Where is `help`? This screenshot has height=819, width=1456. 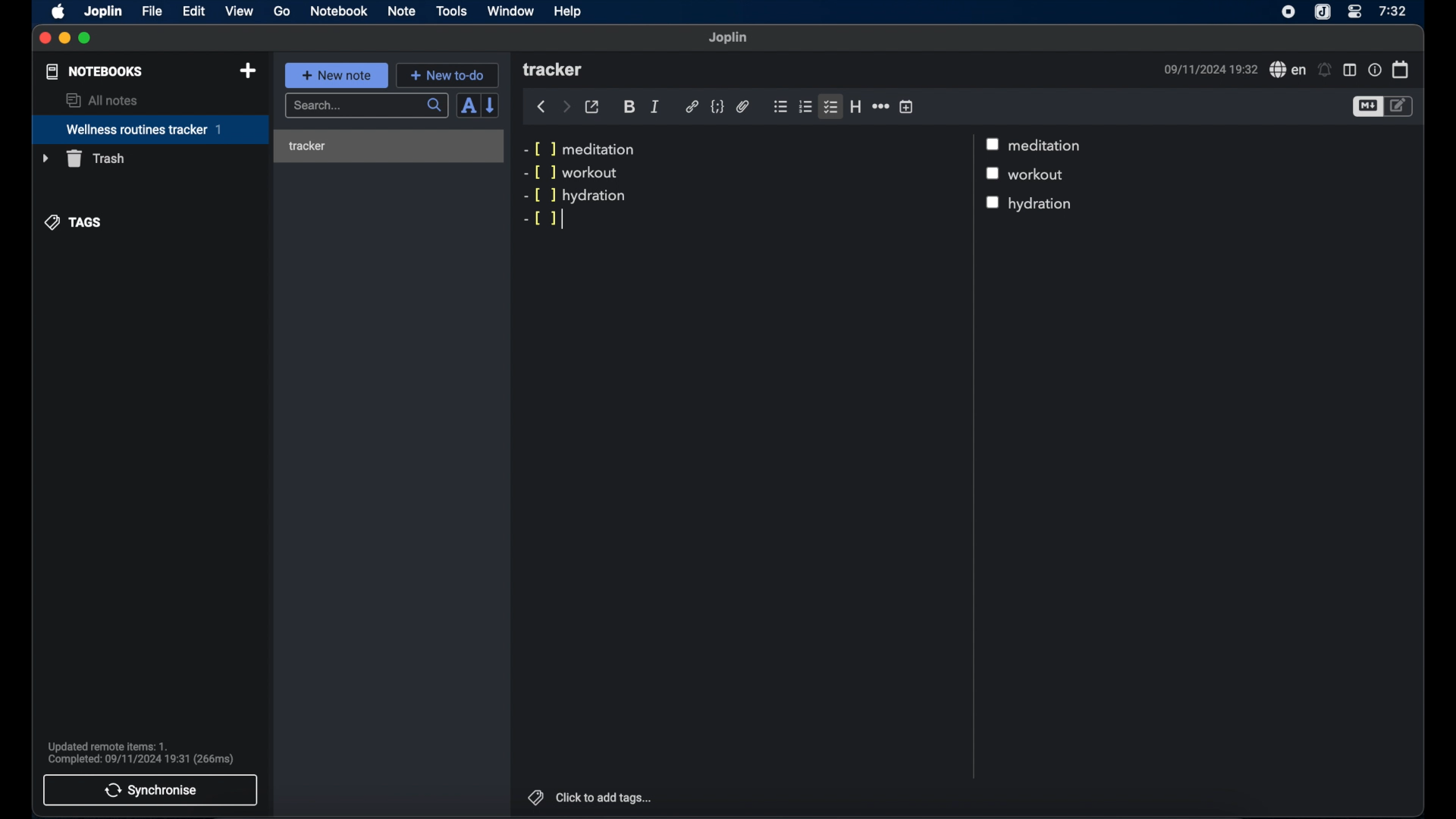
help is located at coordinates (569, 11).